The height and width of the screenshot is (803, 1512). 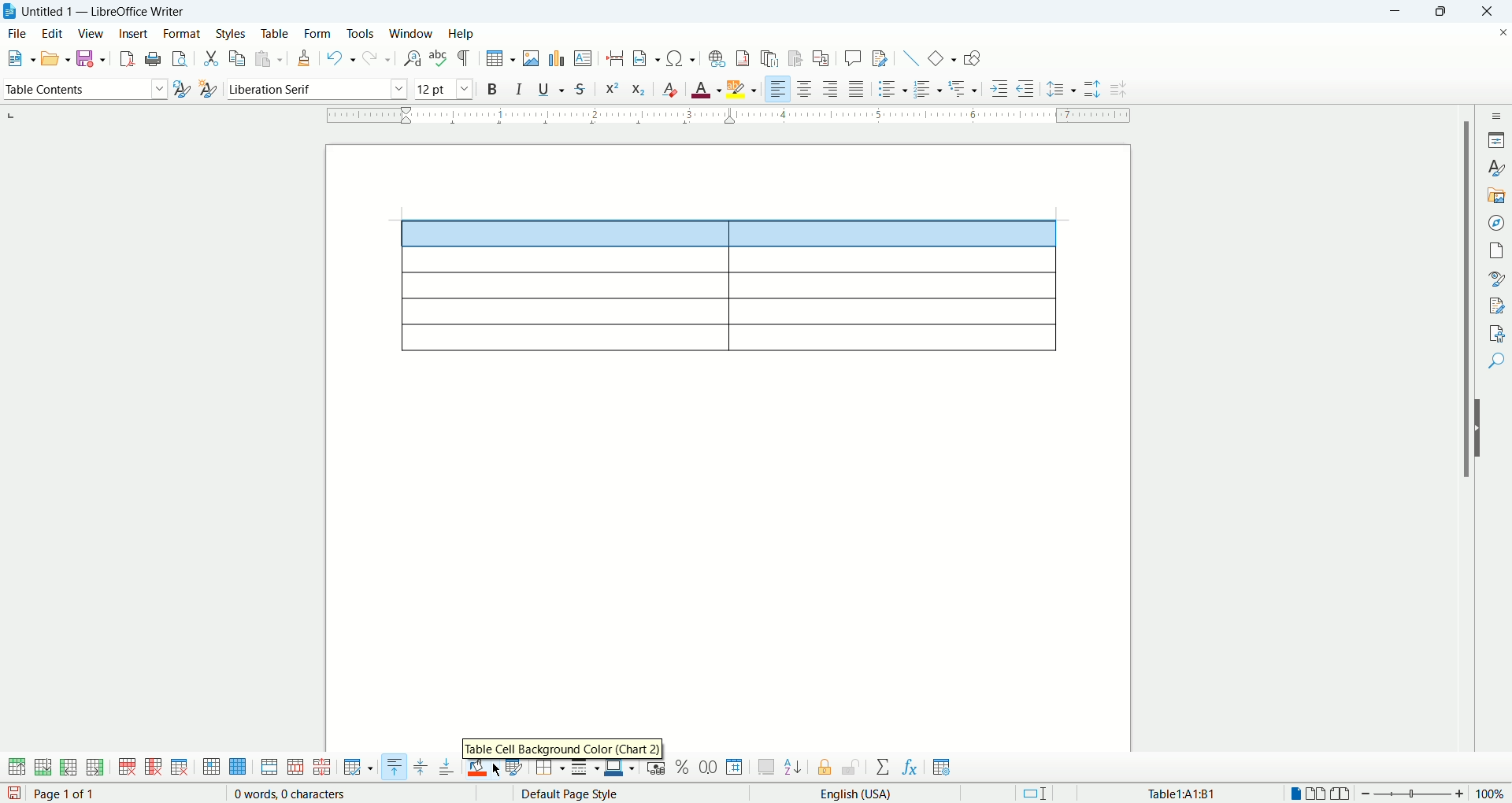 What do you see at coordinates (707, 87) in the screenshot?
I see `font color` at bounding box center [707, 87].